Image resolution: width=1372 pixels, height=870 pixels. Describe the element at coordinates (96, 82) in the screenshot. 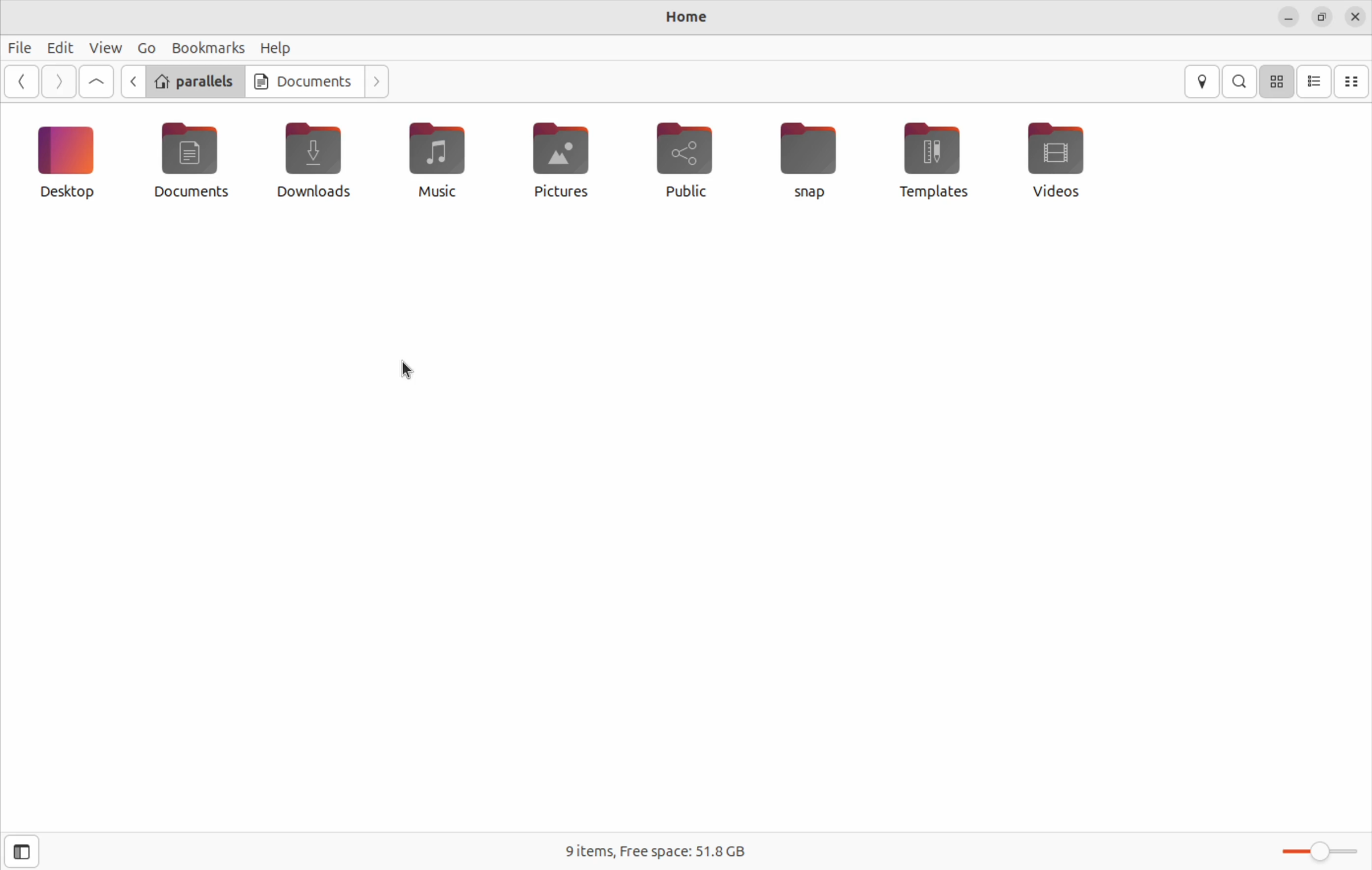

I see `Go first file` at that location.